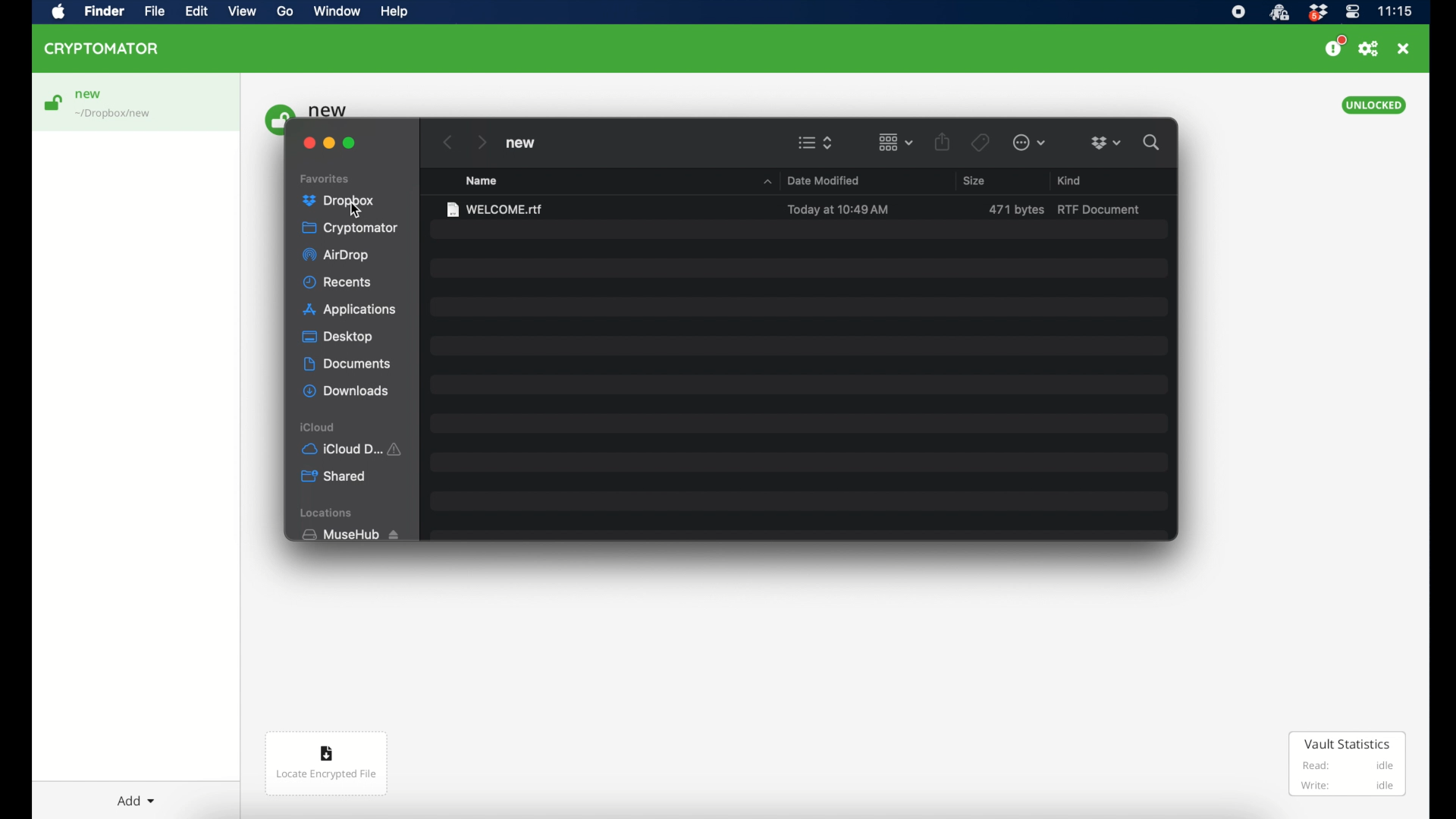 This screenshot has height=819, width=1456. I want to click on screen recorder music, so click(1238, 12).